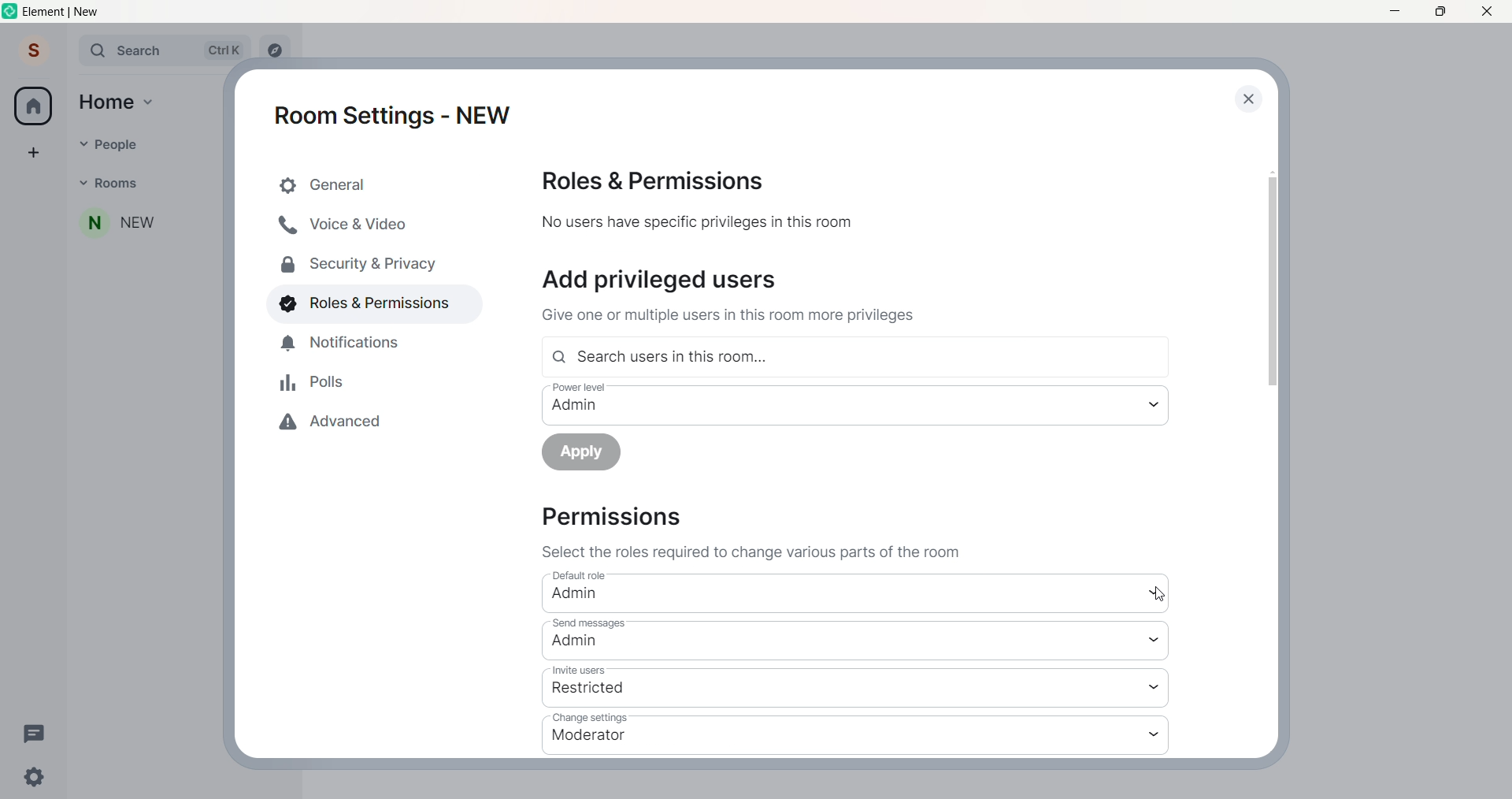  I want to click on title, so click(66, 11).